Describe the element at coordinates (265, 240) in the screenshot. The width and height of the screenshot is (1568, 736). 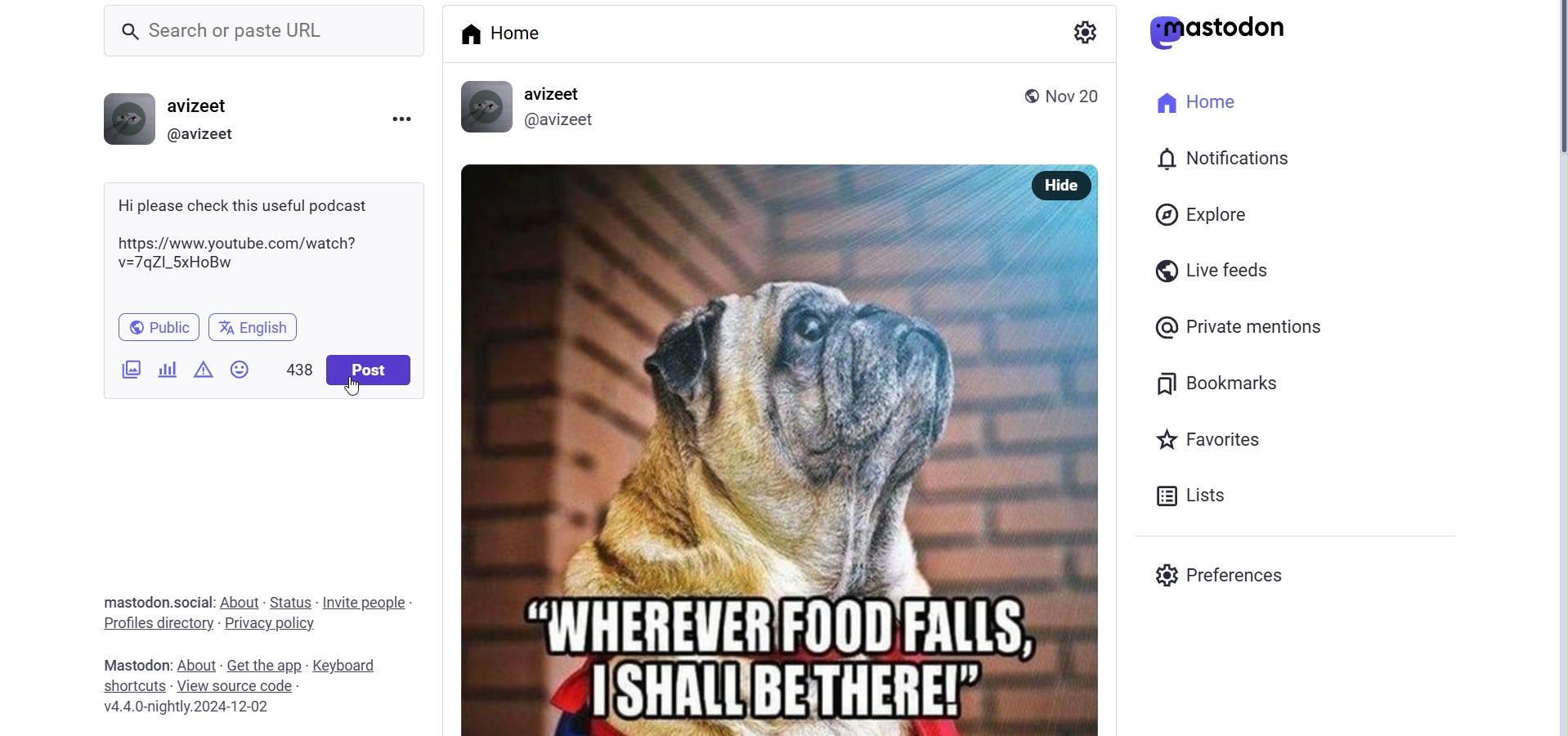
I see `Hi please check this useful podcast
https://www.youtube.com/watch?
v=7qZ|_5xHoBw` at that location.